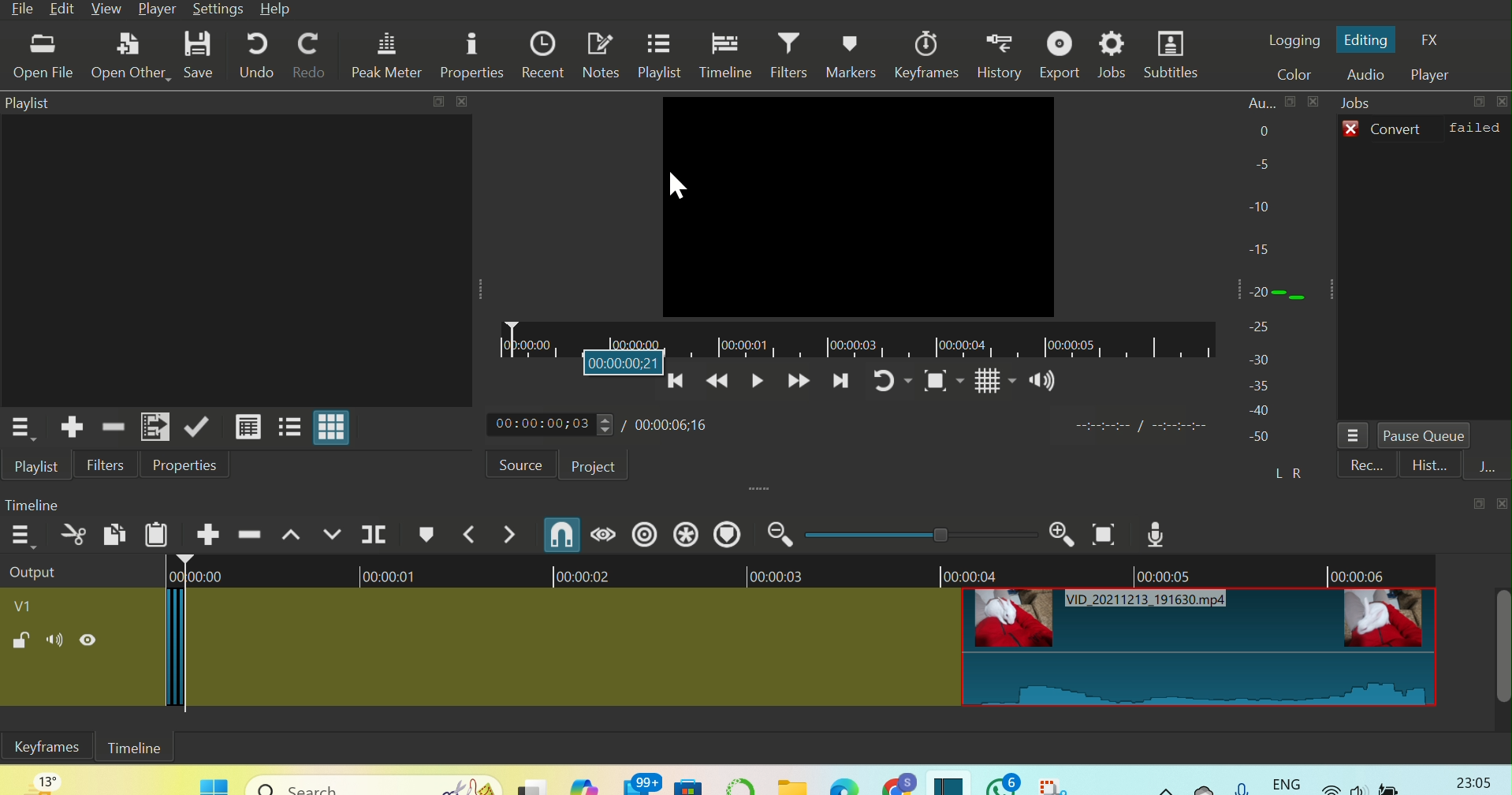 The height and width of the screenshot is (795, 1512). I want to click on Paste, so click(156, 535).